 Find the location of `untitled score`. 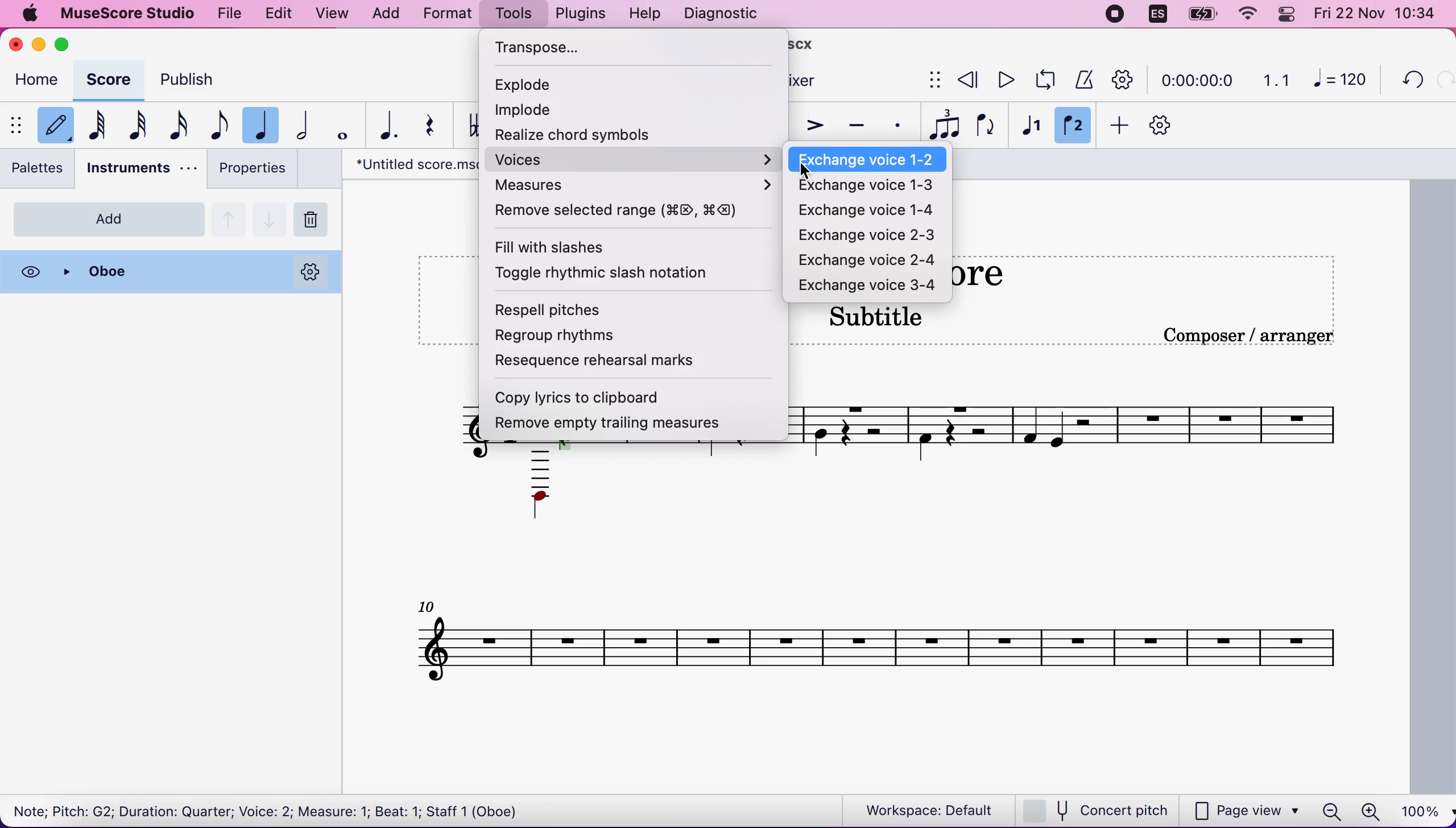

untitled score is located at coordinates (876, 614).